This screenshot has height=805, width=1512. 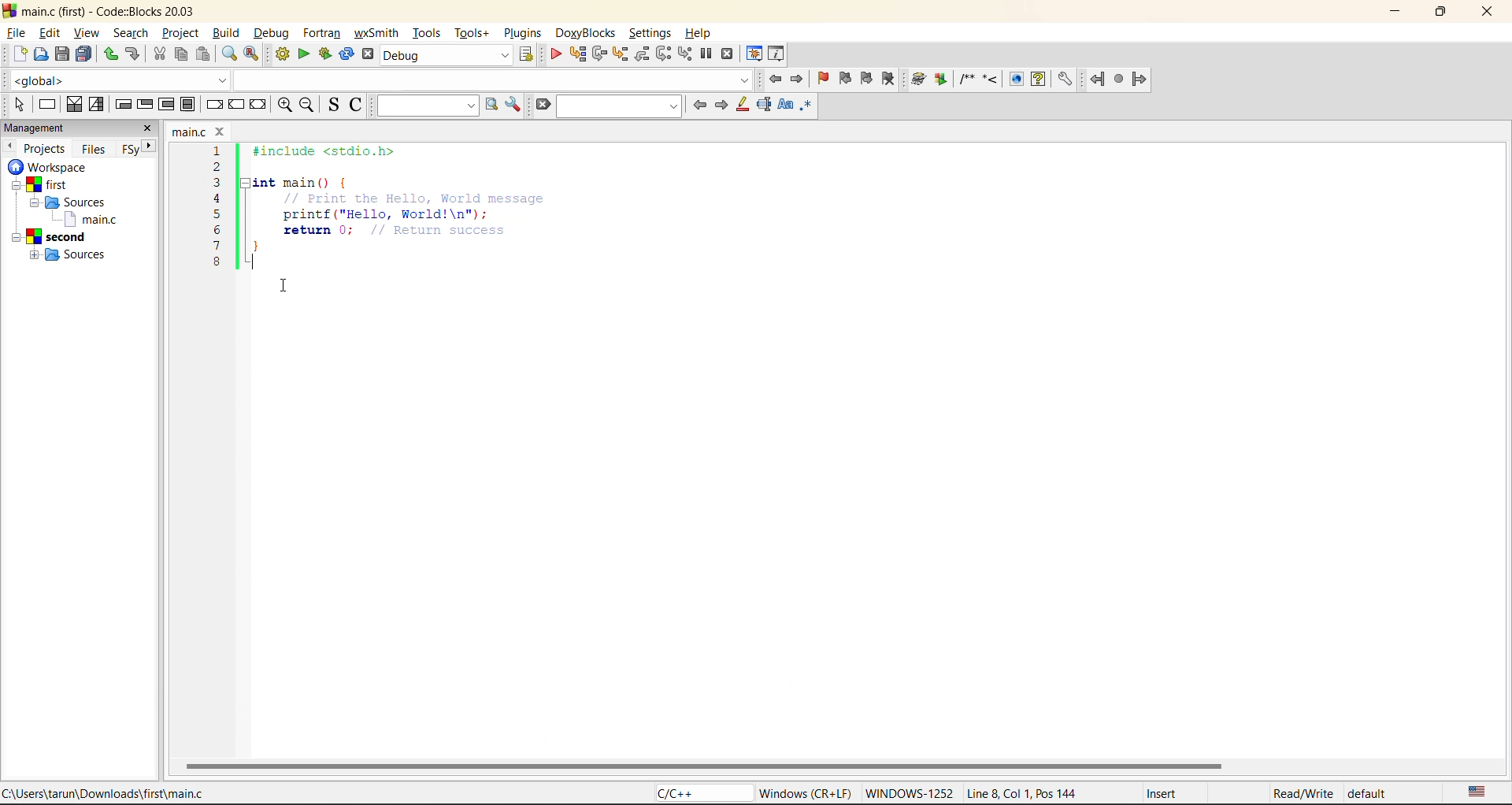 What do you see at coordinates (134, 54) in the screenshot?
I see `redo` at bounding box center [134, 54].